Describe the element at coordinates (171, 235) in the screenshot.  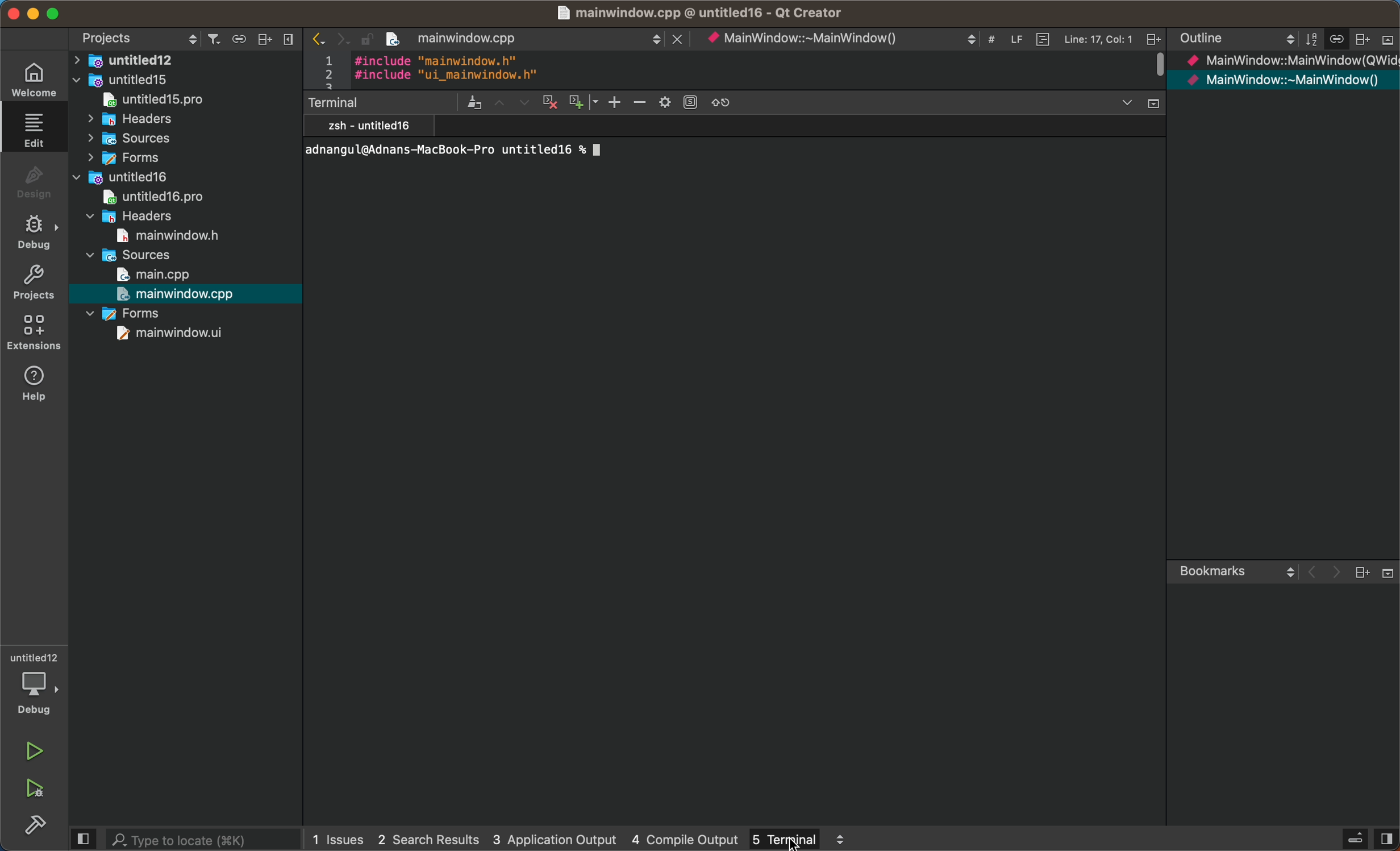
I see `file` at that location.